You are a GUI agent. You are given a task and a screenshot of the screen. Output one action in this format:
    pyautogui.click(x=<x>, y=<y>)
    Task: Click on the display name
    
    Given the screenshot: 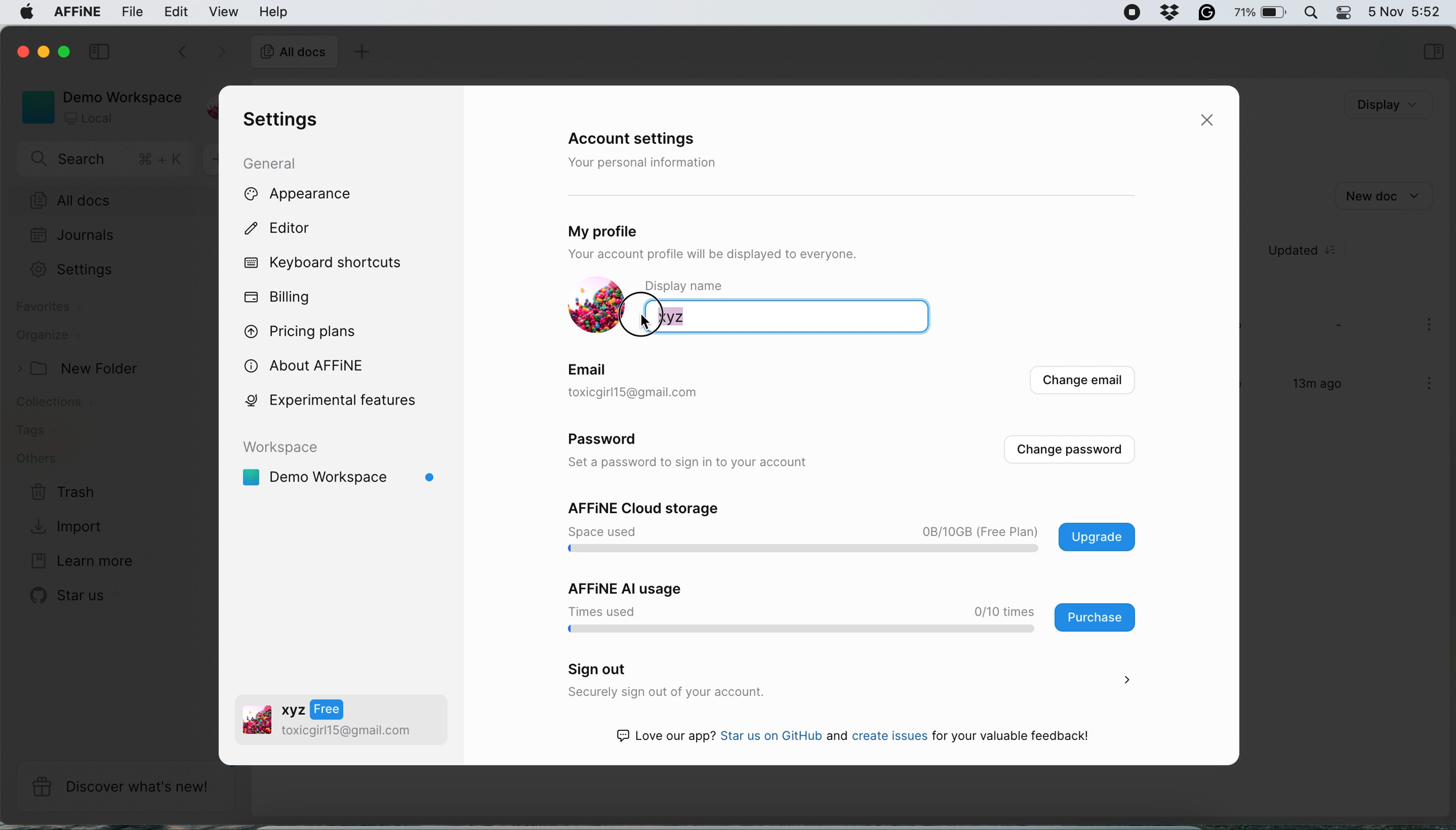 What is the action you would take?
    pyautogui.click(x=701, y=286)
    